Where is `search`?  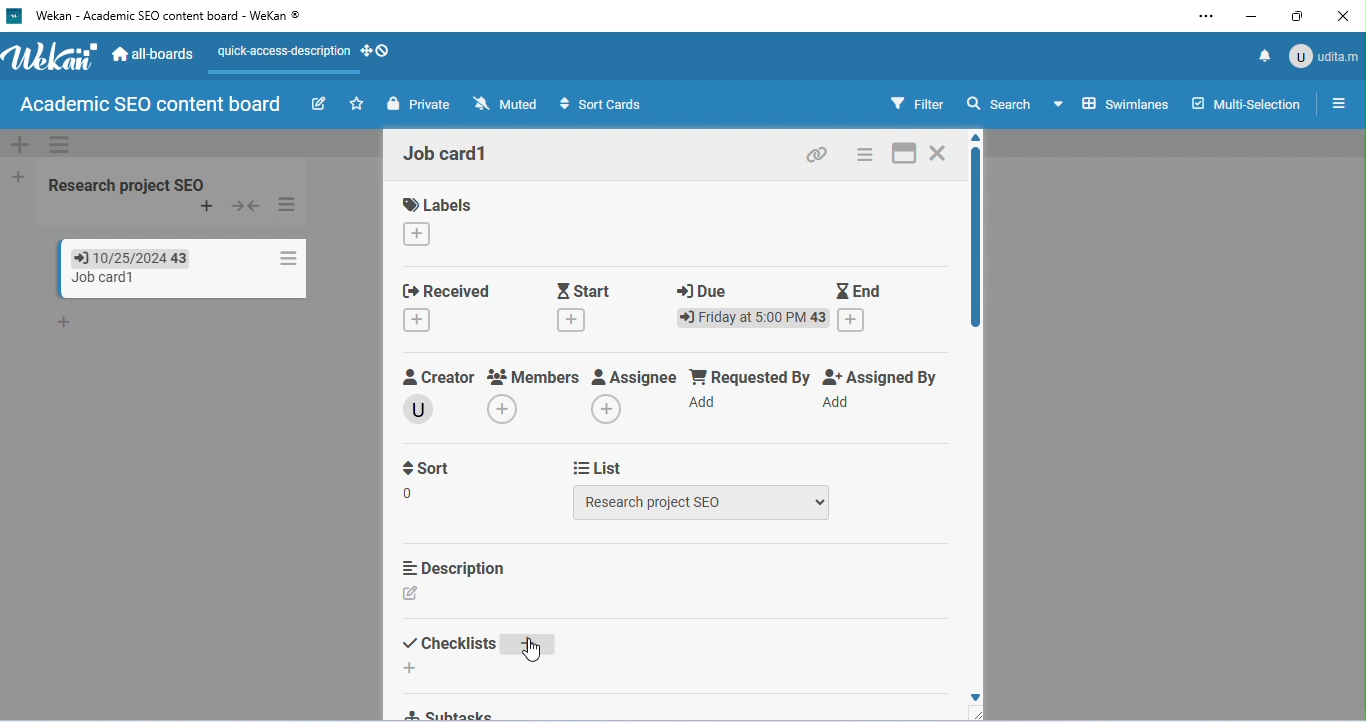 search is located at coordinates (1001, 105).